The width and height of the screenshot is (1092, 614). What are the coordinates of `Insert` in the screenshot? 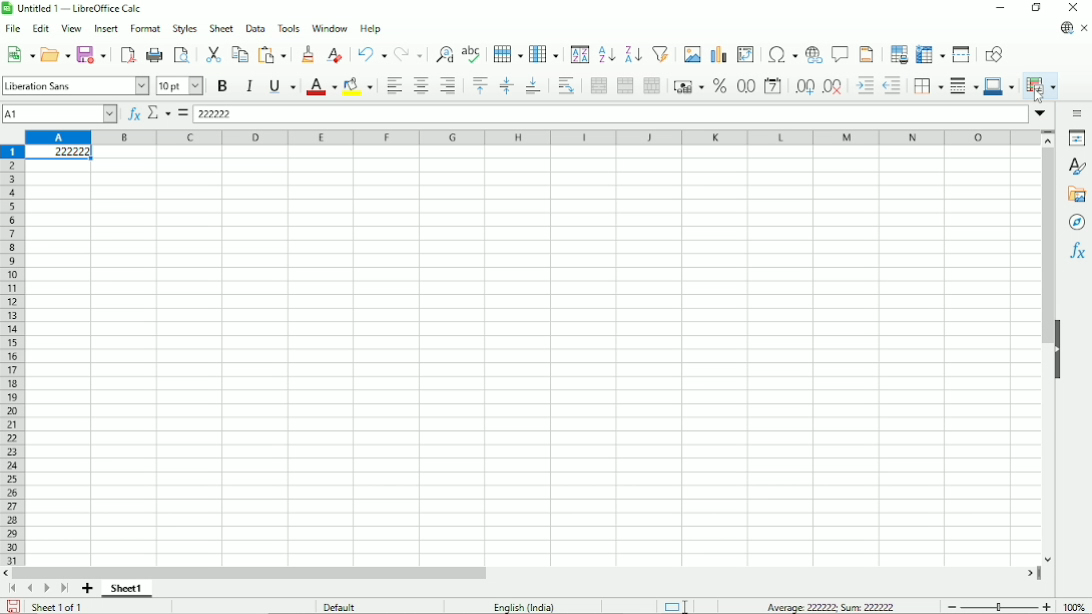 It's located at (104, 29).